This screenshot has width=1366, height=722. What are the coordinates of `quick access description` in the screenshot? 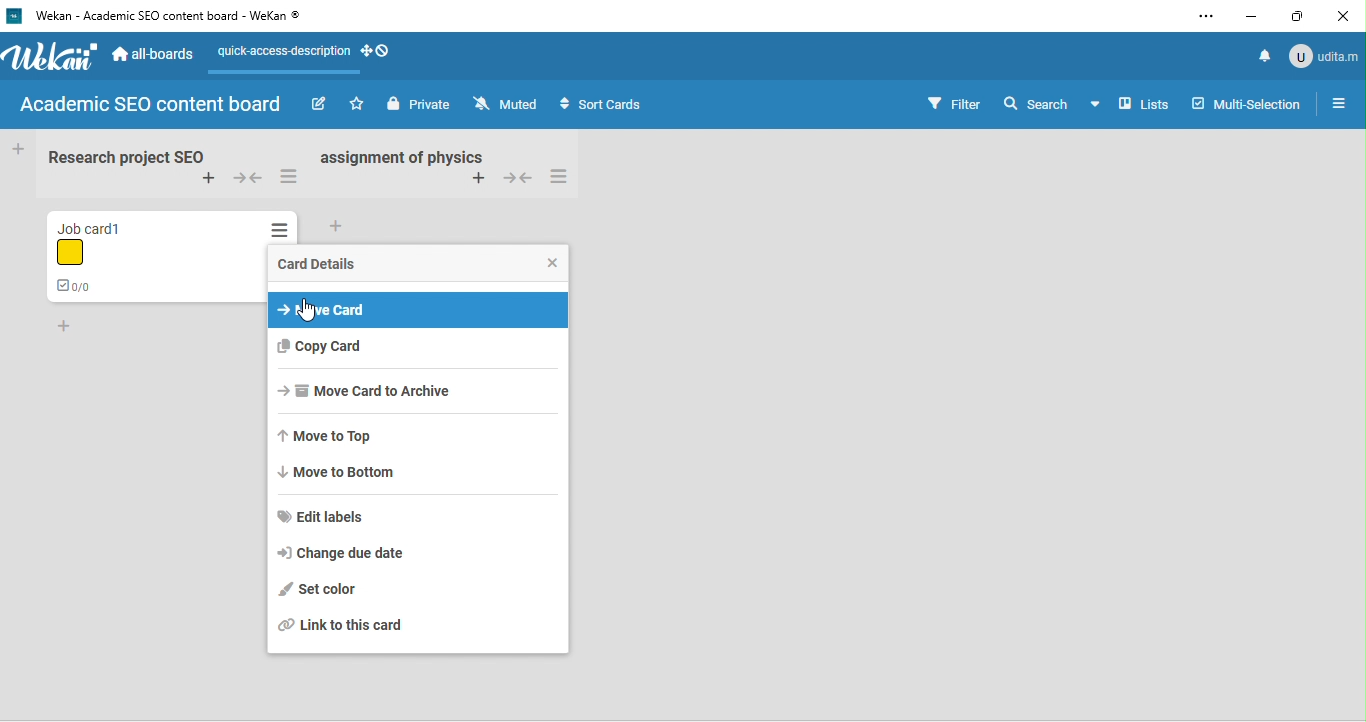 It's located at (286, 52).